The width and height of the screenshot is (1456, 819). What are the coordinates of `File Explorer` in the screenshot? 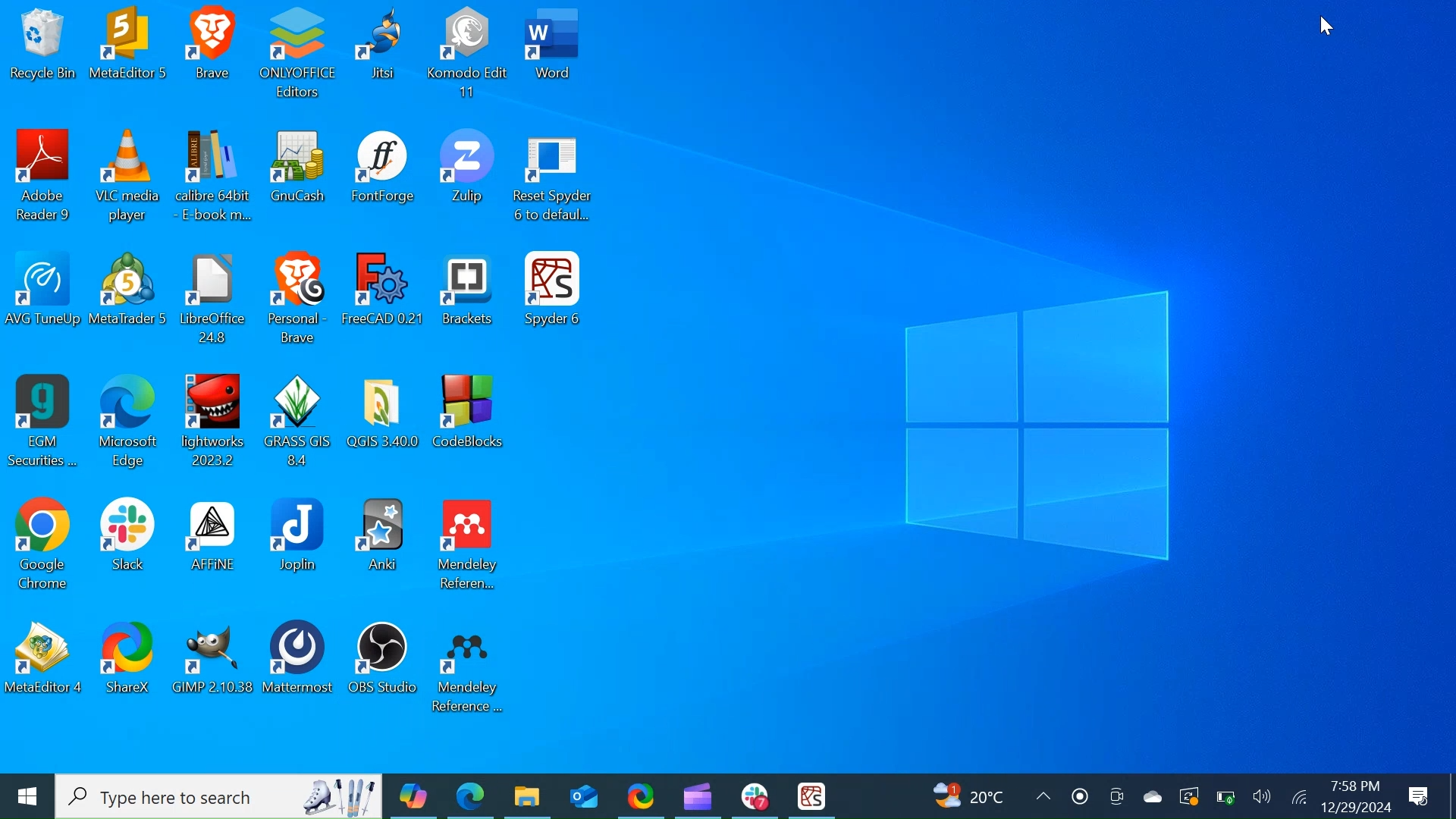 It's located at (526, 795).